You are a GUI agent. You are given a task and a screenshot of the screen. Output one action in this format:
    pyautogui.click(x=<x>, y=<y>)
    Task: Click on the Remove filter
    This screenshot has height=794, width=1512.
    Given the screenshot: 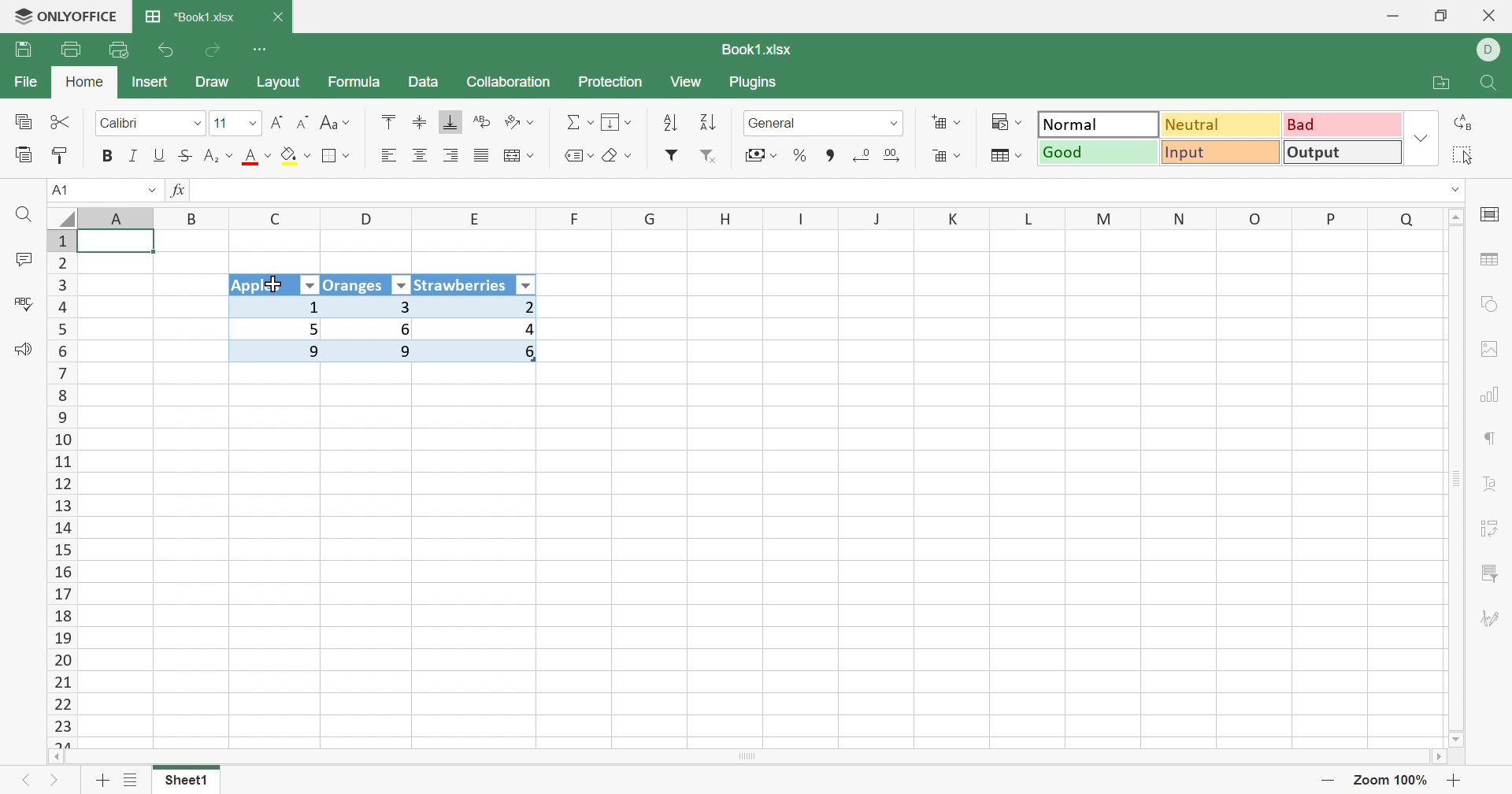 What is the action you would take?
    pyautogui.click(x=715, y=158)
    